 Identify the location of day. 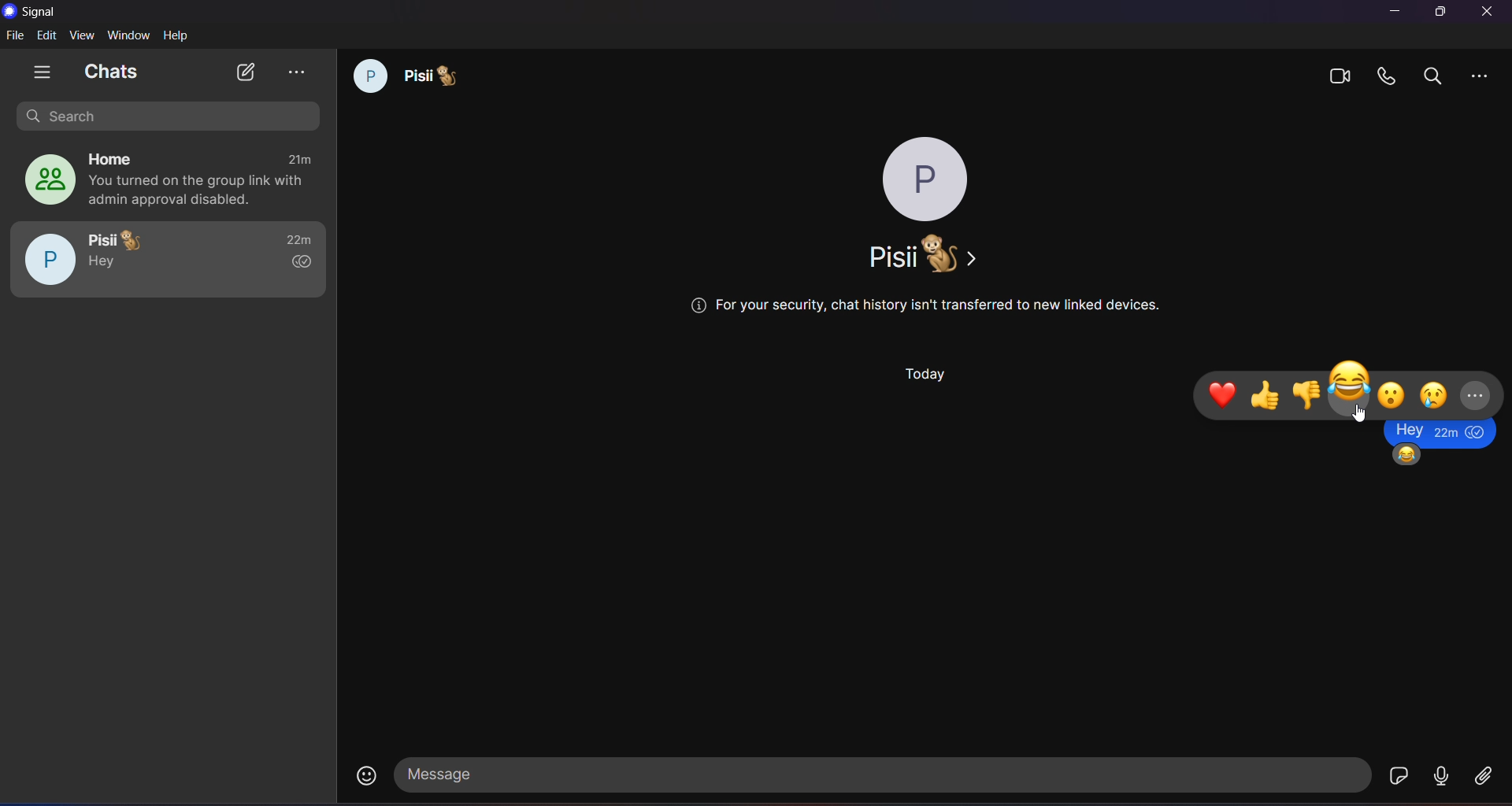
(928, 372).